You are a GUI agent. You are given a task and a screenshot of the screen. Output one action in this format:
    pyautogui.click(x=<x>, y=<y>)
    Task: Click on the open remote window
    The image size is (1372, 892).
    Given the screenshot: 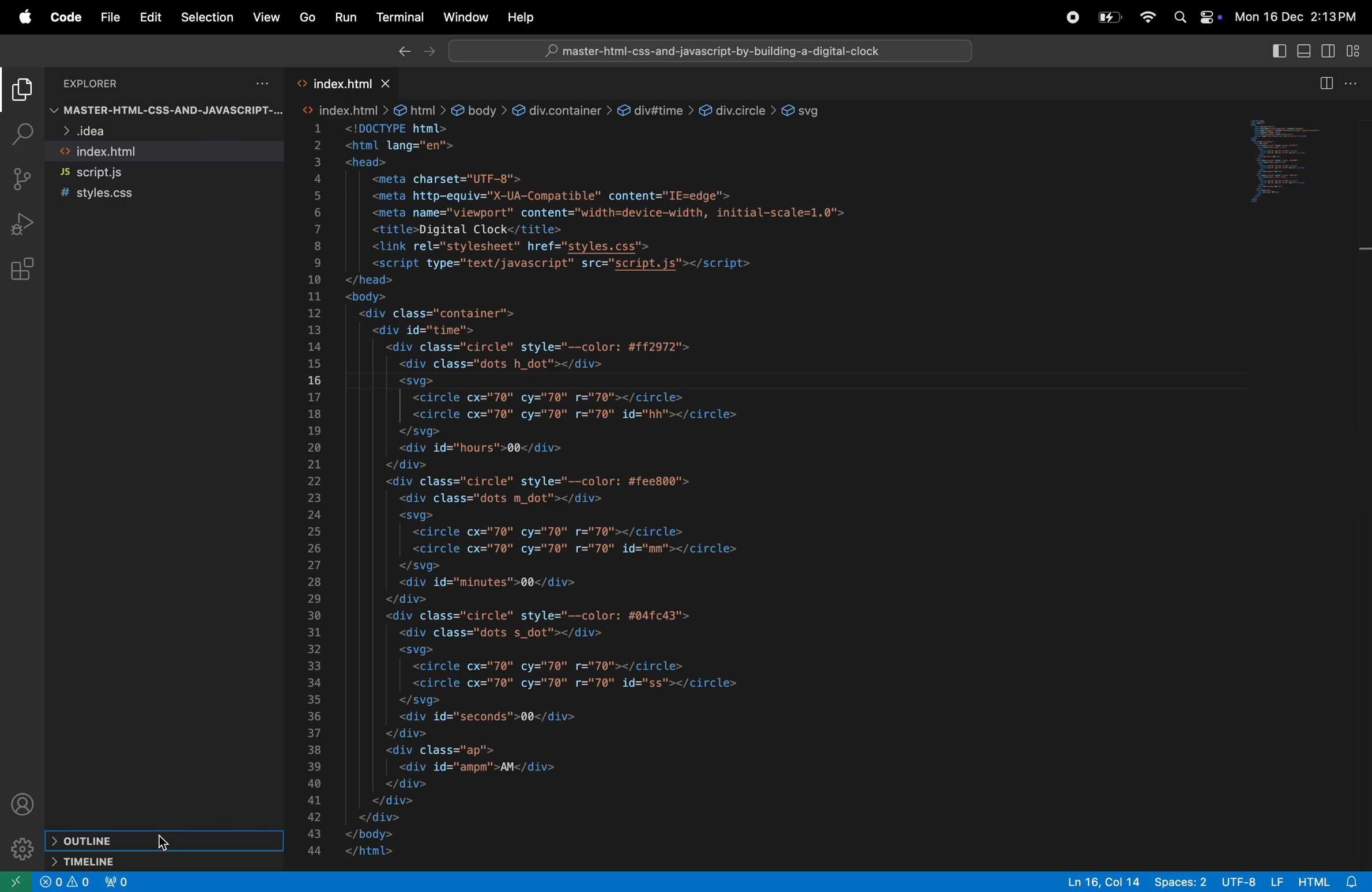 What is the action you would take?
    pyautogui.click(x=17, y=882)
    